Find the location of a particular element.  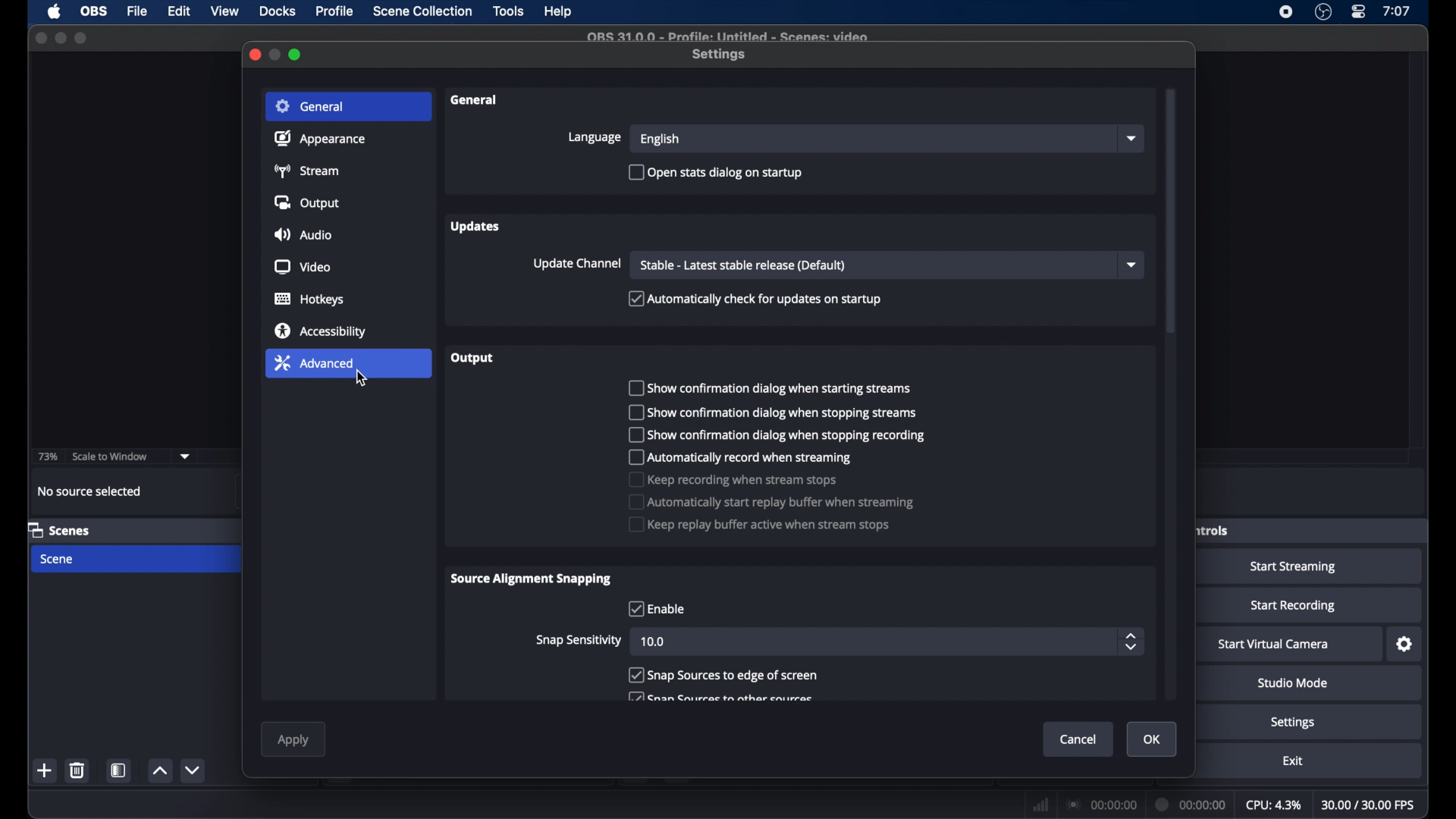

obs is located at coordinates (94, 10).